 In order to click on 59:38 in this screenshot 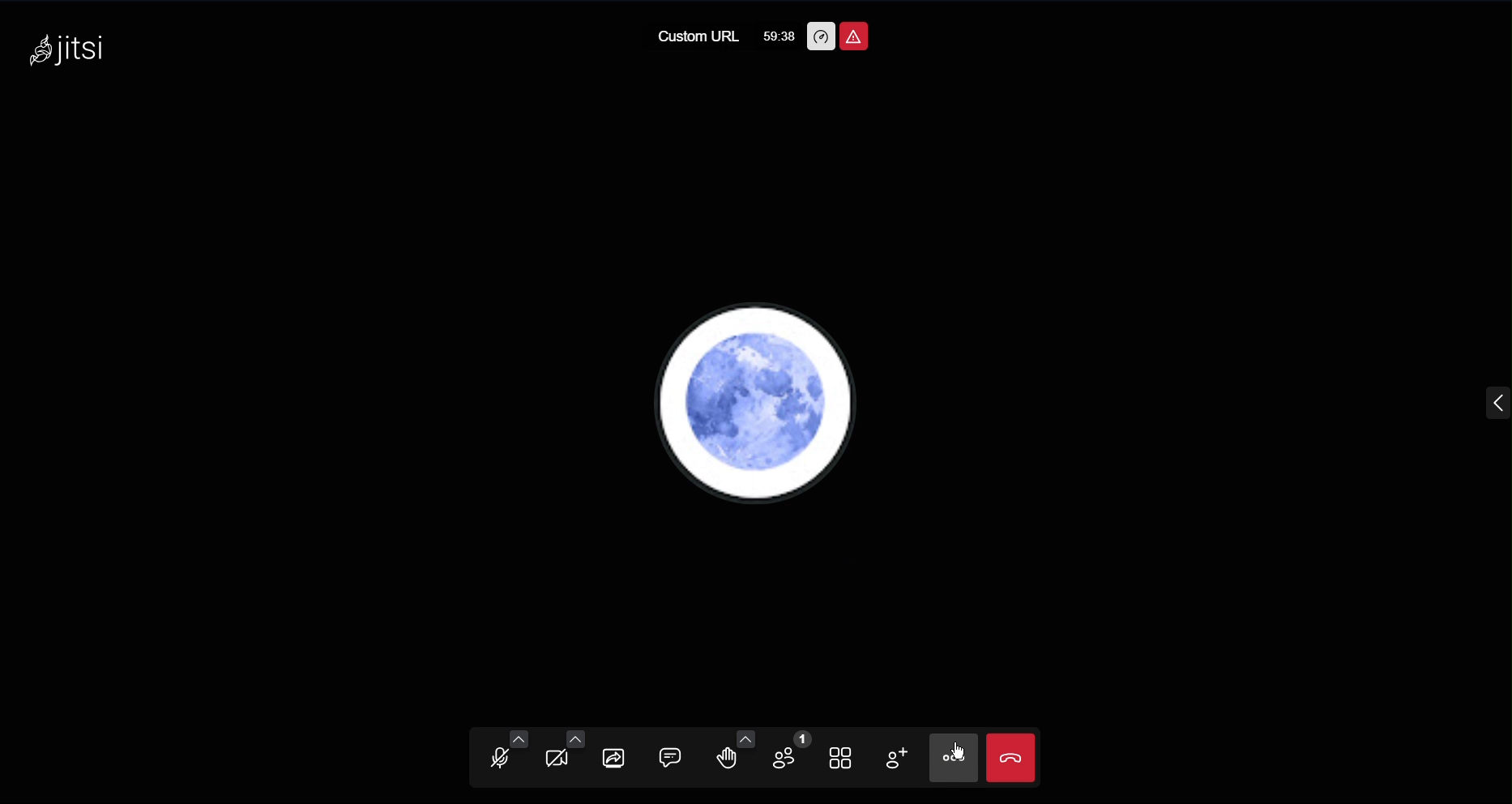, I will do `click(777, 35)`.